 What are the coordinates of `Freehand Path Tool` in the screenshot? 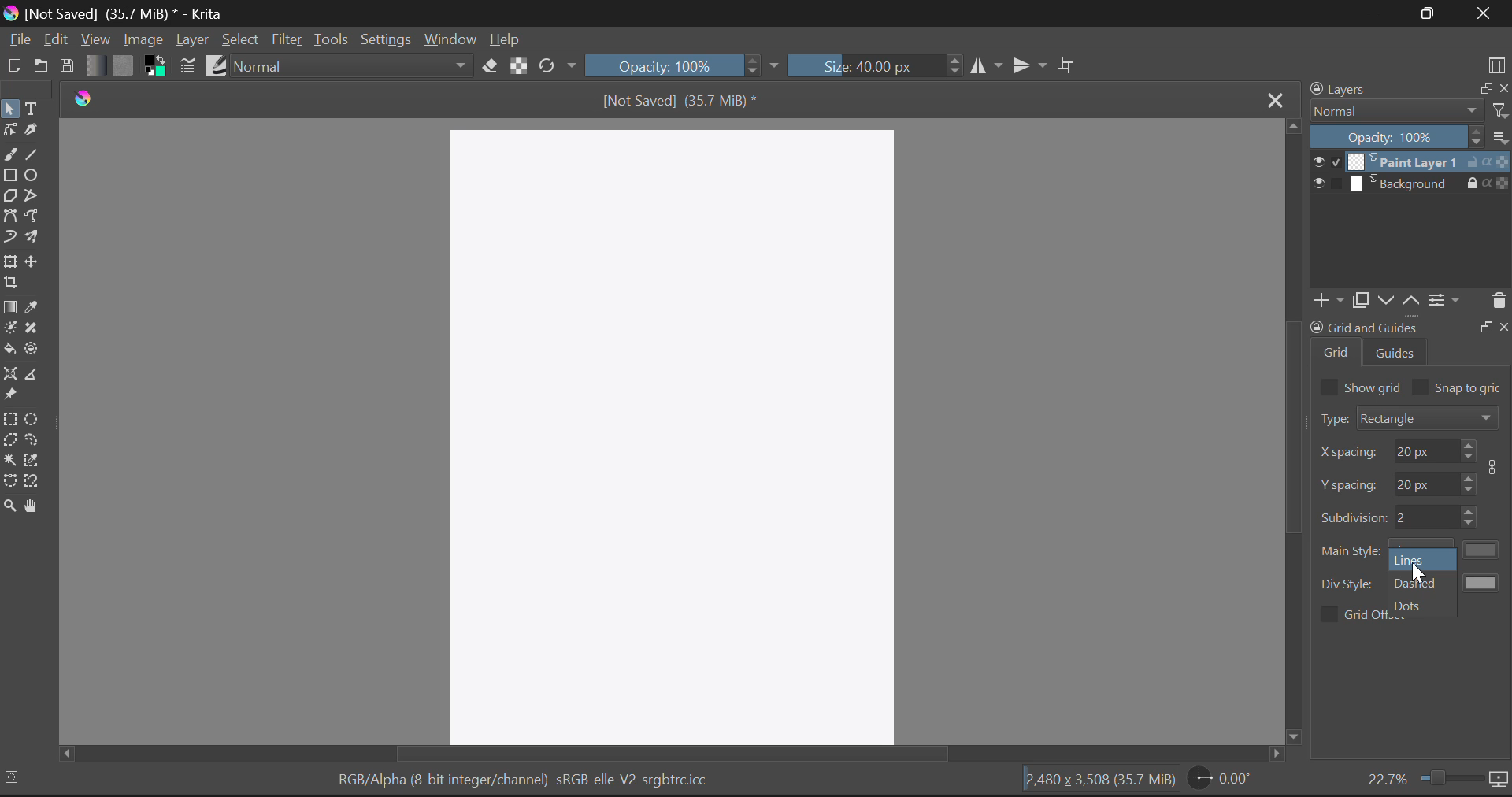 It's located at (36, 218).